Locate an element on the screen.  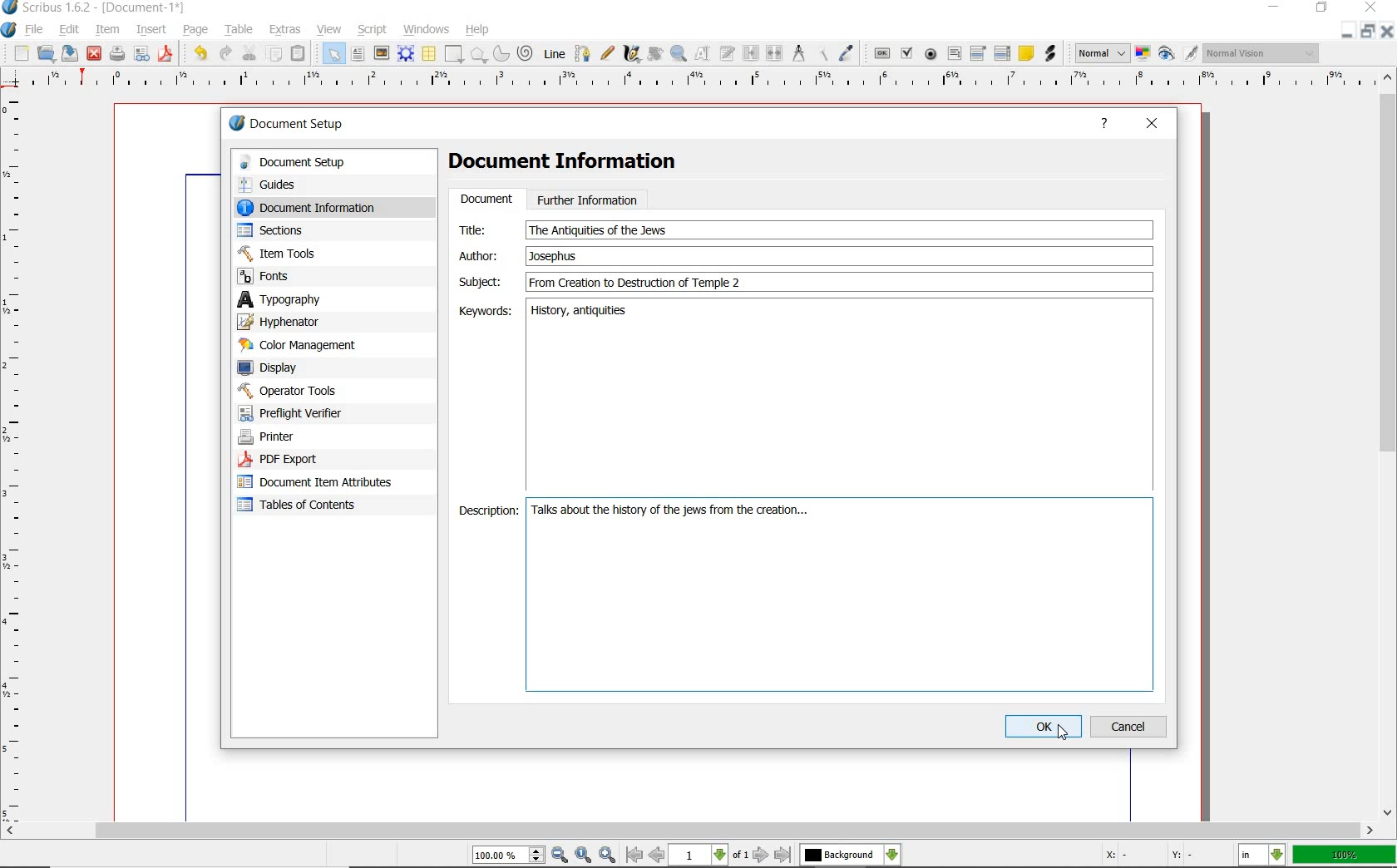
table is located at coordinates (428, 53).